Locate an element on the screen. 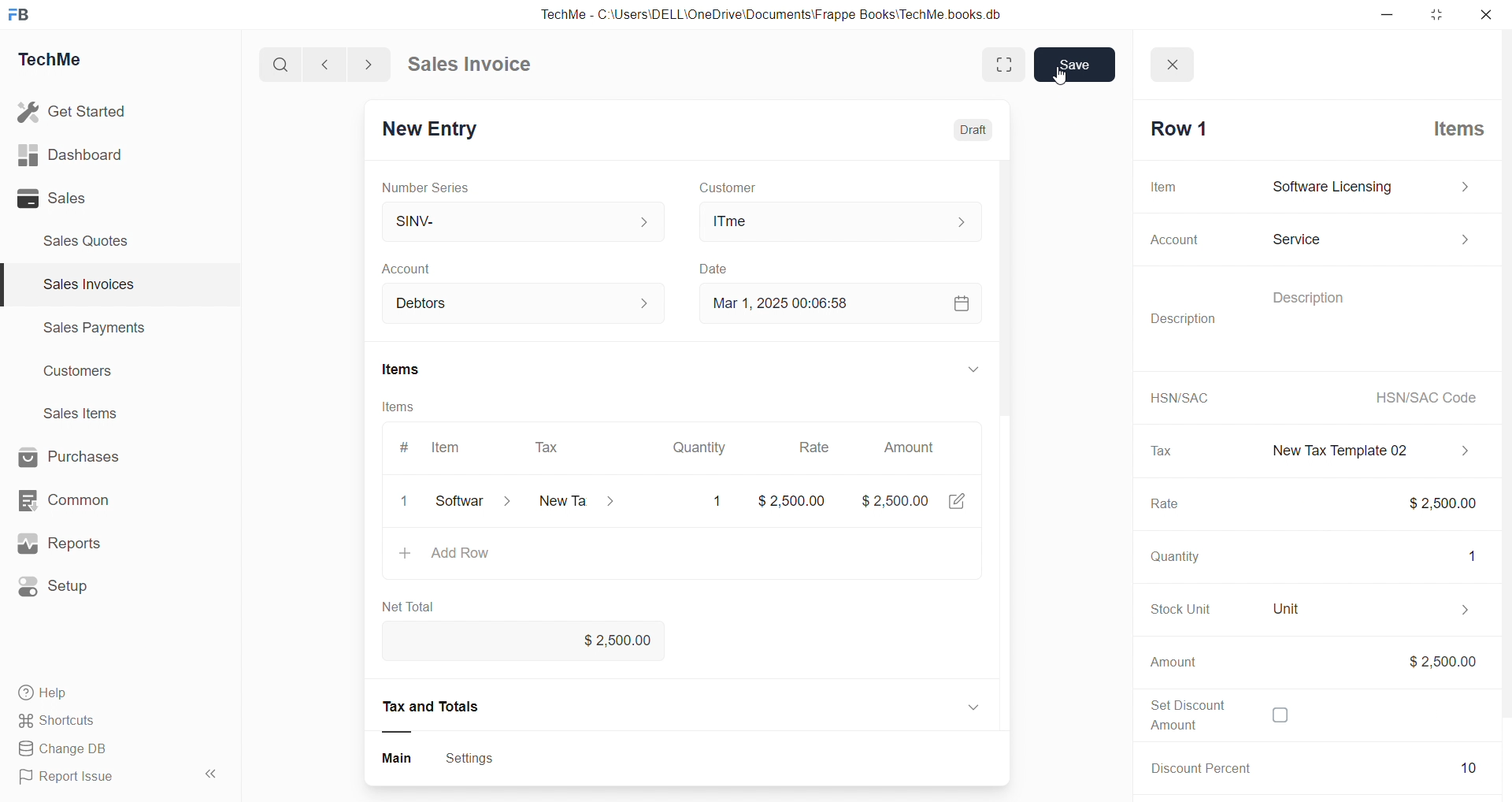  ITme| is located at coordinates (842, 222).